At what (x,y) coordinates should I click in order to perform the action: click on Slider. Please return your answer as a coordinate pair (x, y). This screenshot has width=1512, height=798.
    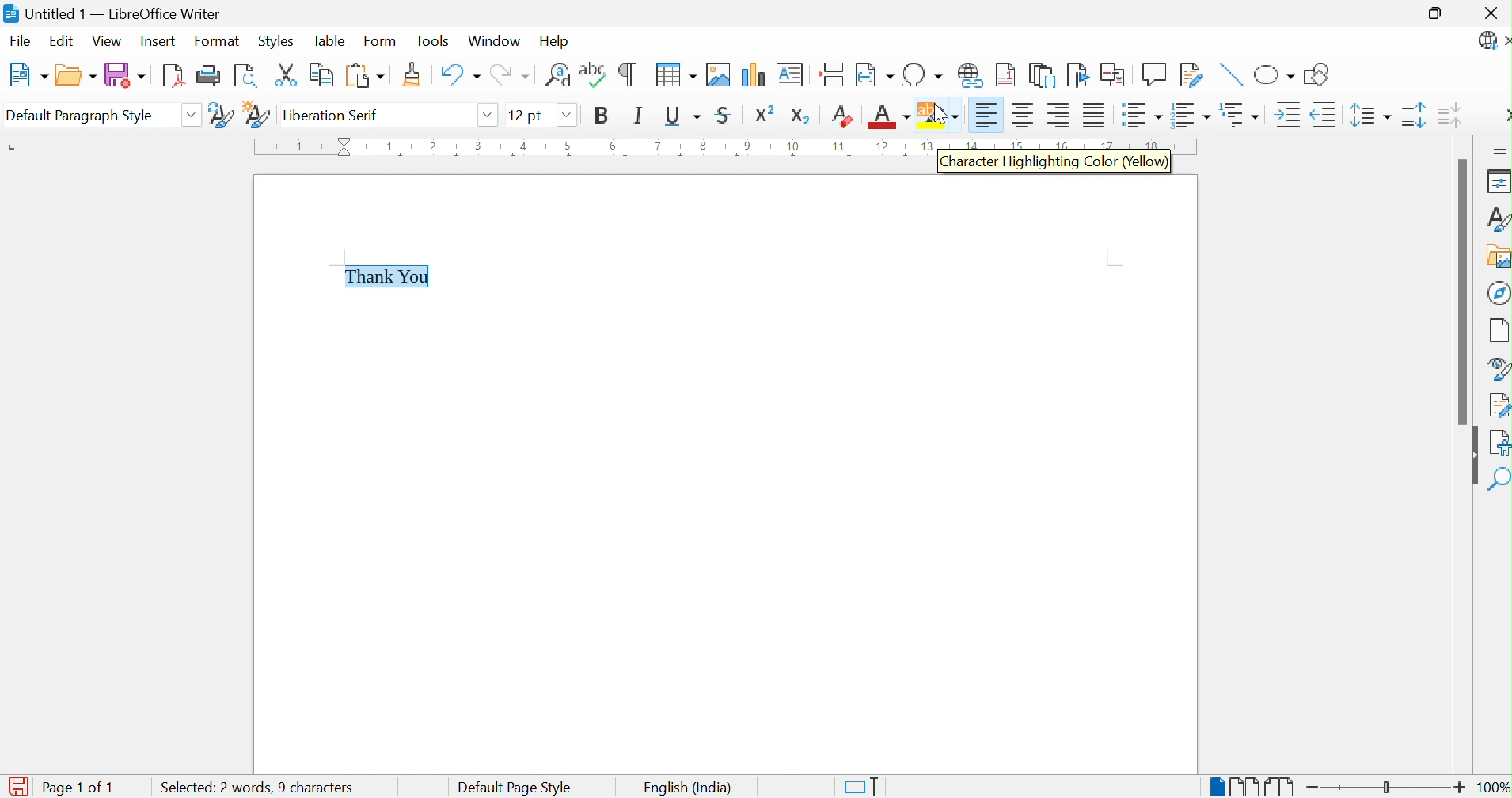
    Looking at the image, I should click on (1386, 788).